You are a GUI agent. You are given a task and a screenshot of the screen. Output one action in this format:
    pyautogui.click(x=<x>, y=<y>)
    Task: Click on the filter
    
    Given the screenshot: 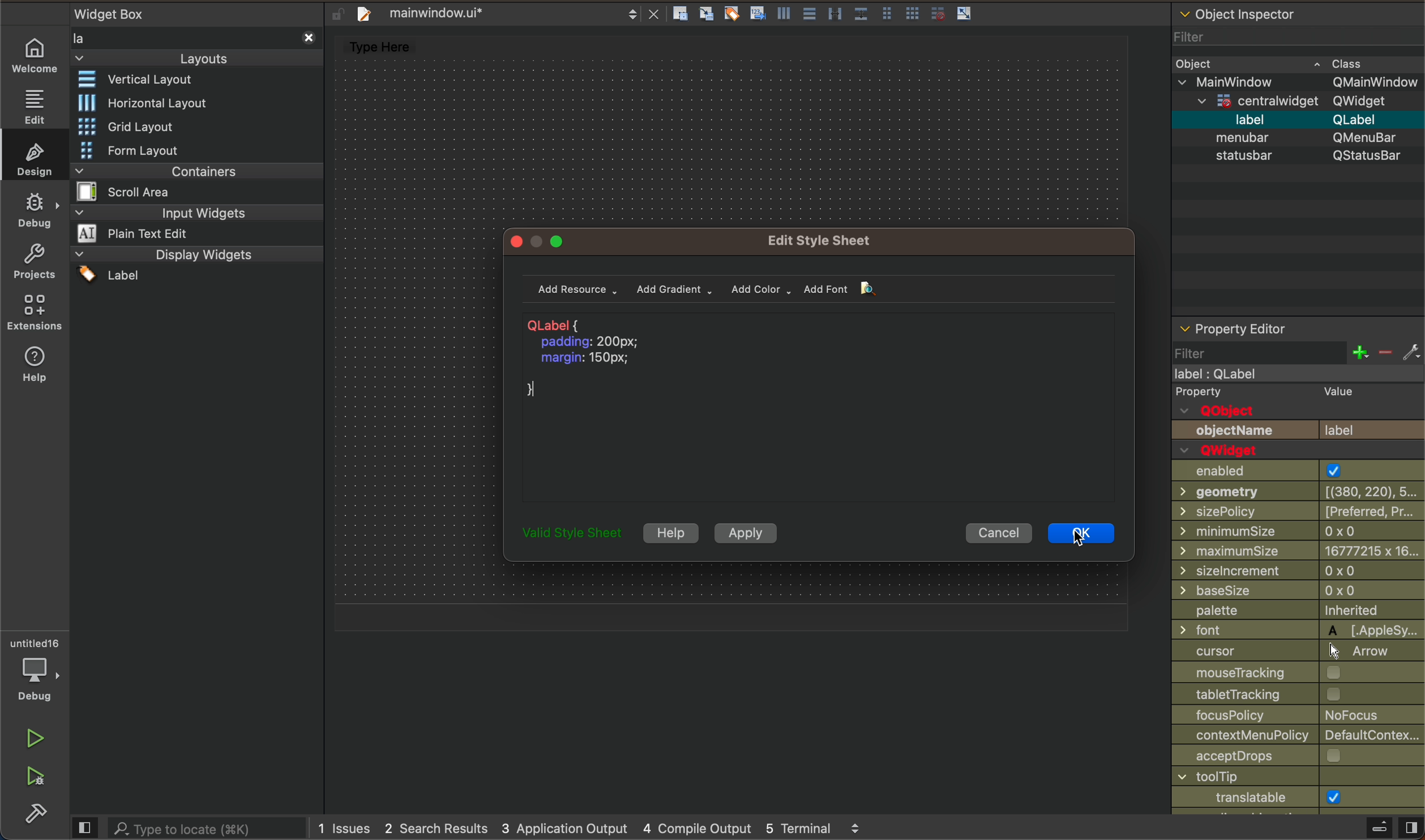 What is the action you would take?
    pyautogui.click(x=1256, y=39)
    